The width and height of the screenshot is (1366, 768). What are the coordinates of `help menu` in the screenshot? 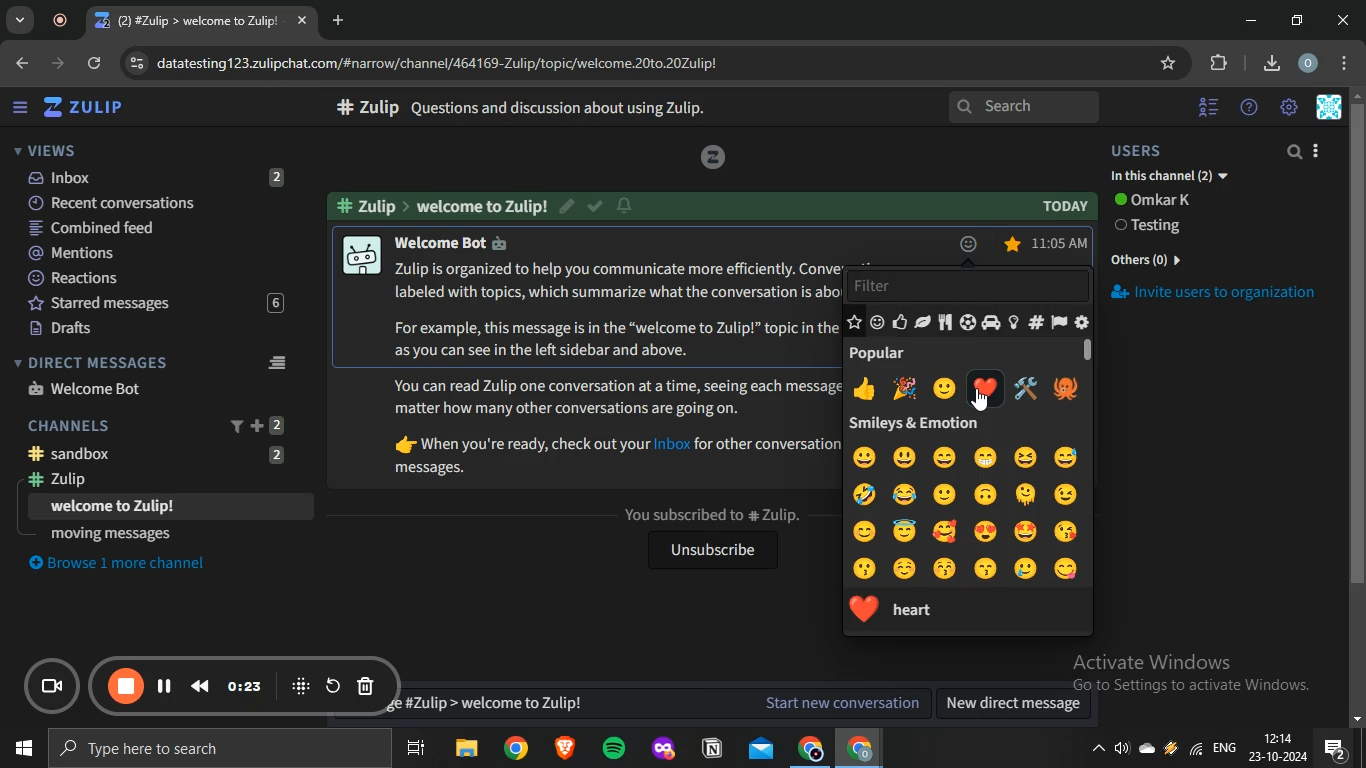 It's located at (1249, 108).